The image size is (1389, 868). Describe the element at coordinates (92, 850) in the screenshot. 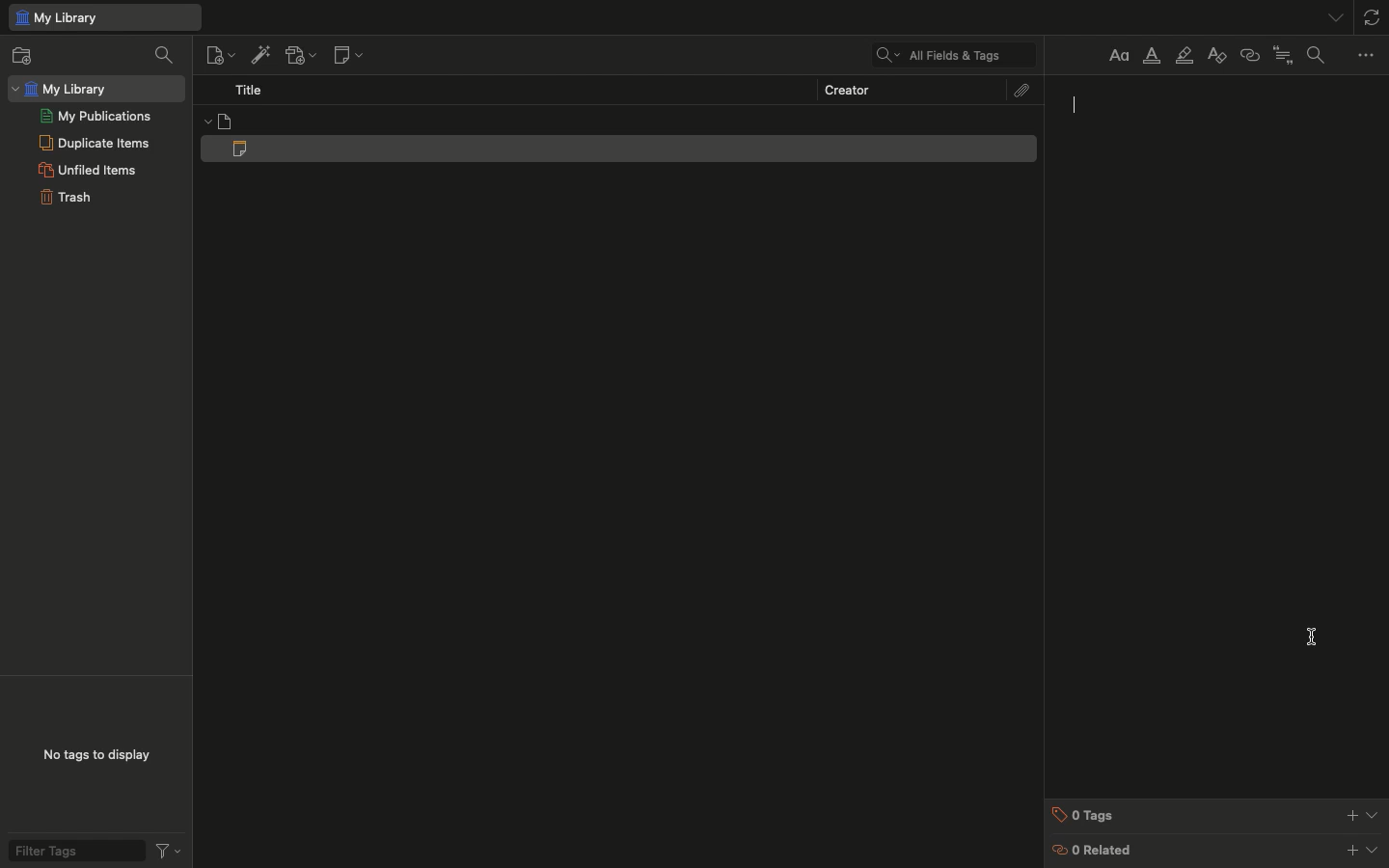

I see `Filter tags` at that location.